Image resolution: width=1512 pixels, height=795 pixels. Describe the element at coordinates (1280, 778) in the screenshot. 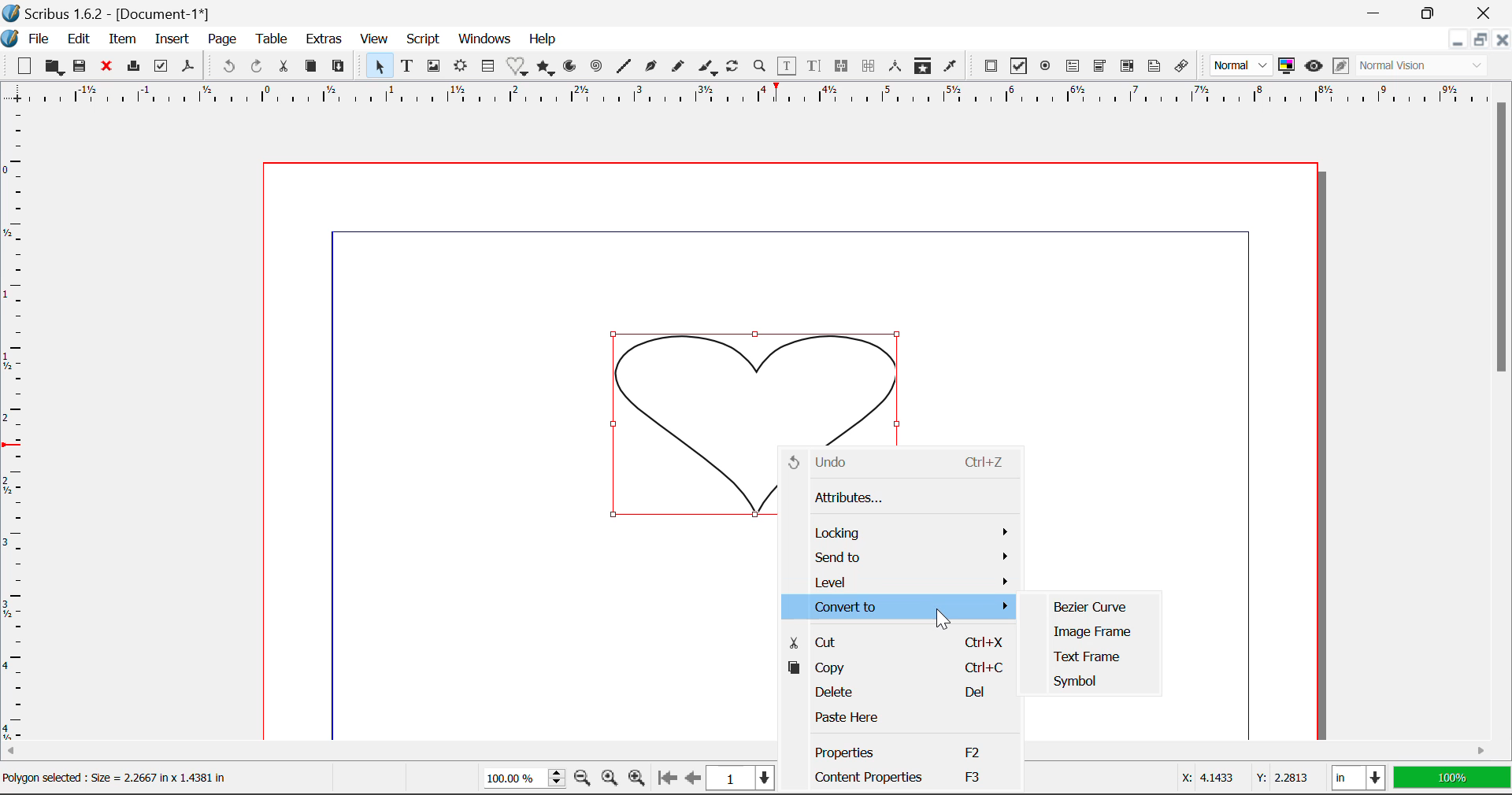

I see `Y: 2.2813` at that location.